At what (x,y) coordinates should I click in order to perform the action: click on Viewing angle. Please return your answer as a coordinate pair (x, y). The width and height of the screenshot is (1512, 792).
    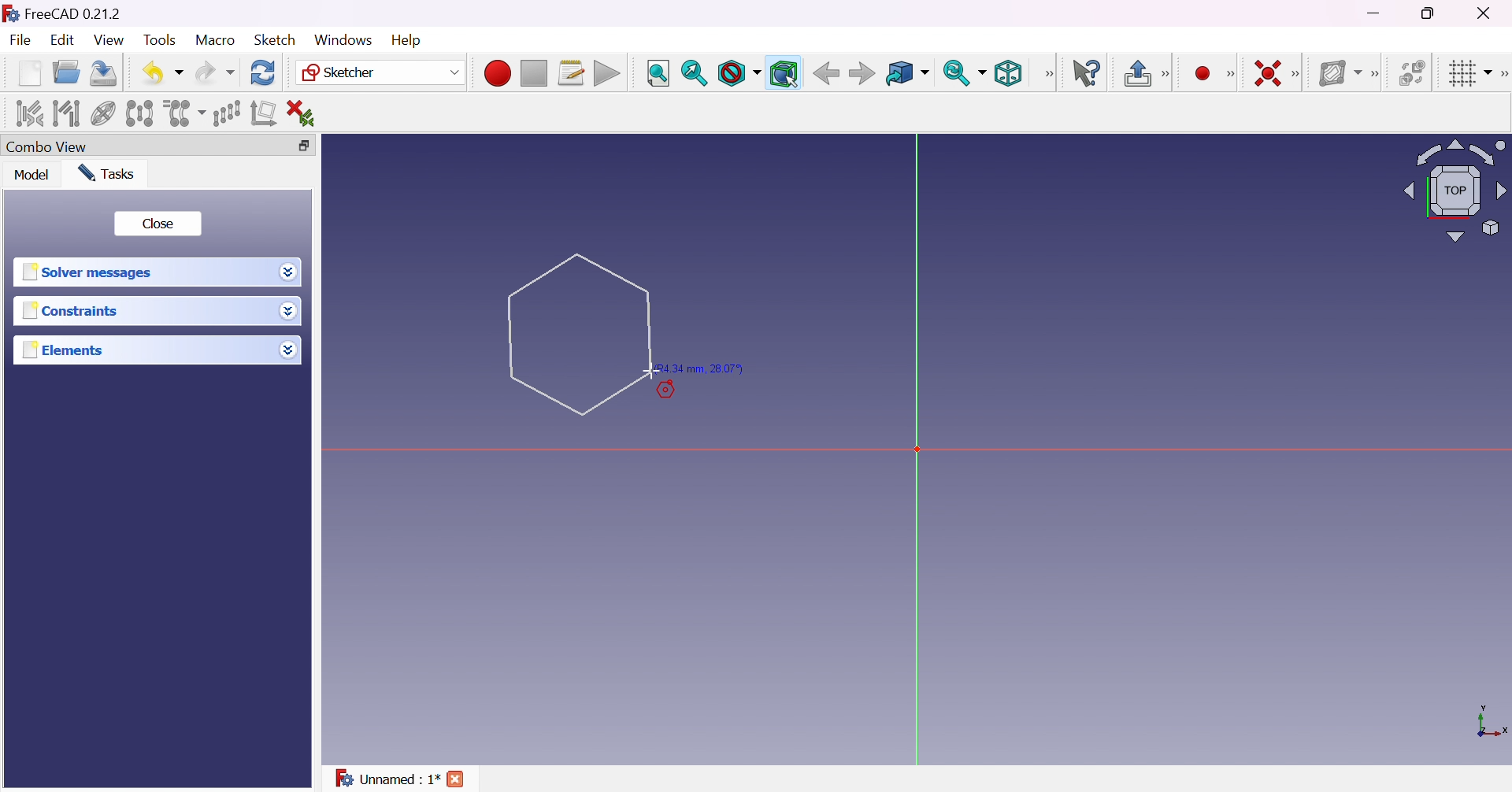
    Looking at the image, I should click on (1454, 189).